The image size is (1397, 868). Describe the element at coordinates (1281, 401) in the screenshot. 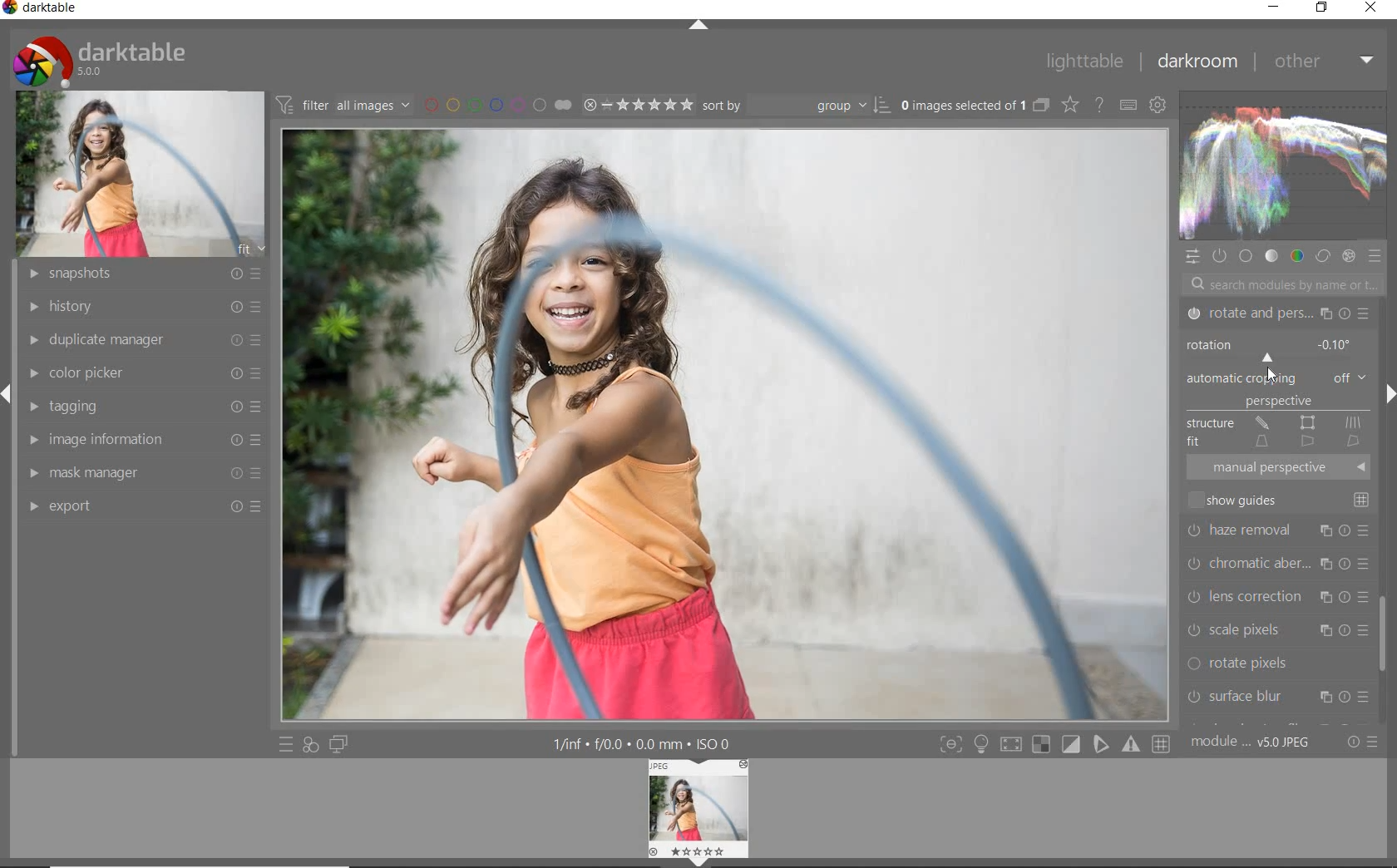

I see `PERSPECTIVE` at that location.